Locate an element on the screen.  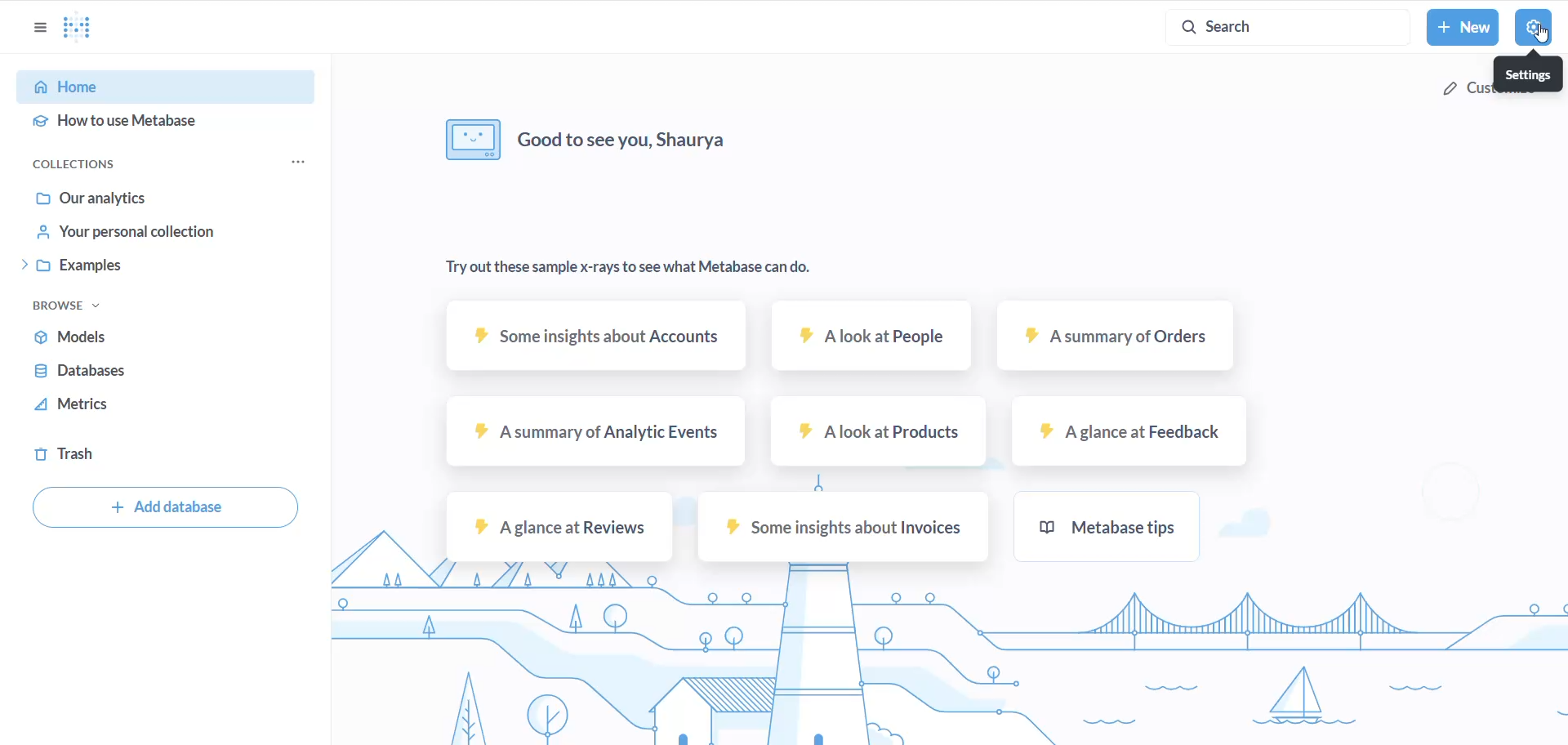
A glance at feedbacks sample is located at coordinates (1129, 432).